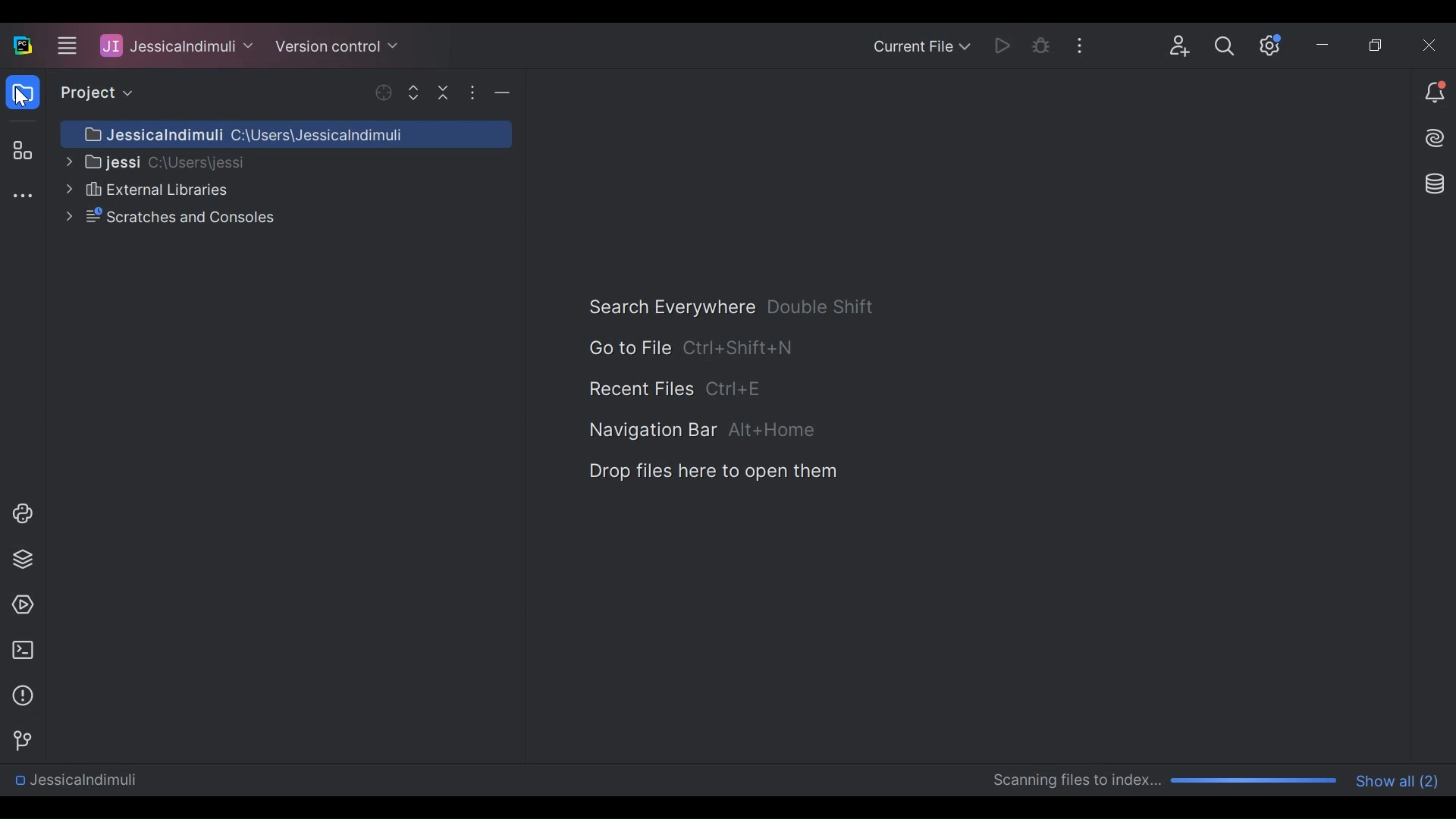 This screenshot has width=1456, height=819. What do you see at coordinates (1432, 186) in the screenshot?
I see `Database` at bounding box center [1432, 186].